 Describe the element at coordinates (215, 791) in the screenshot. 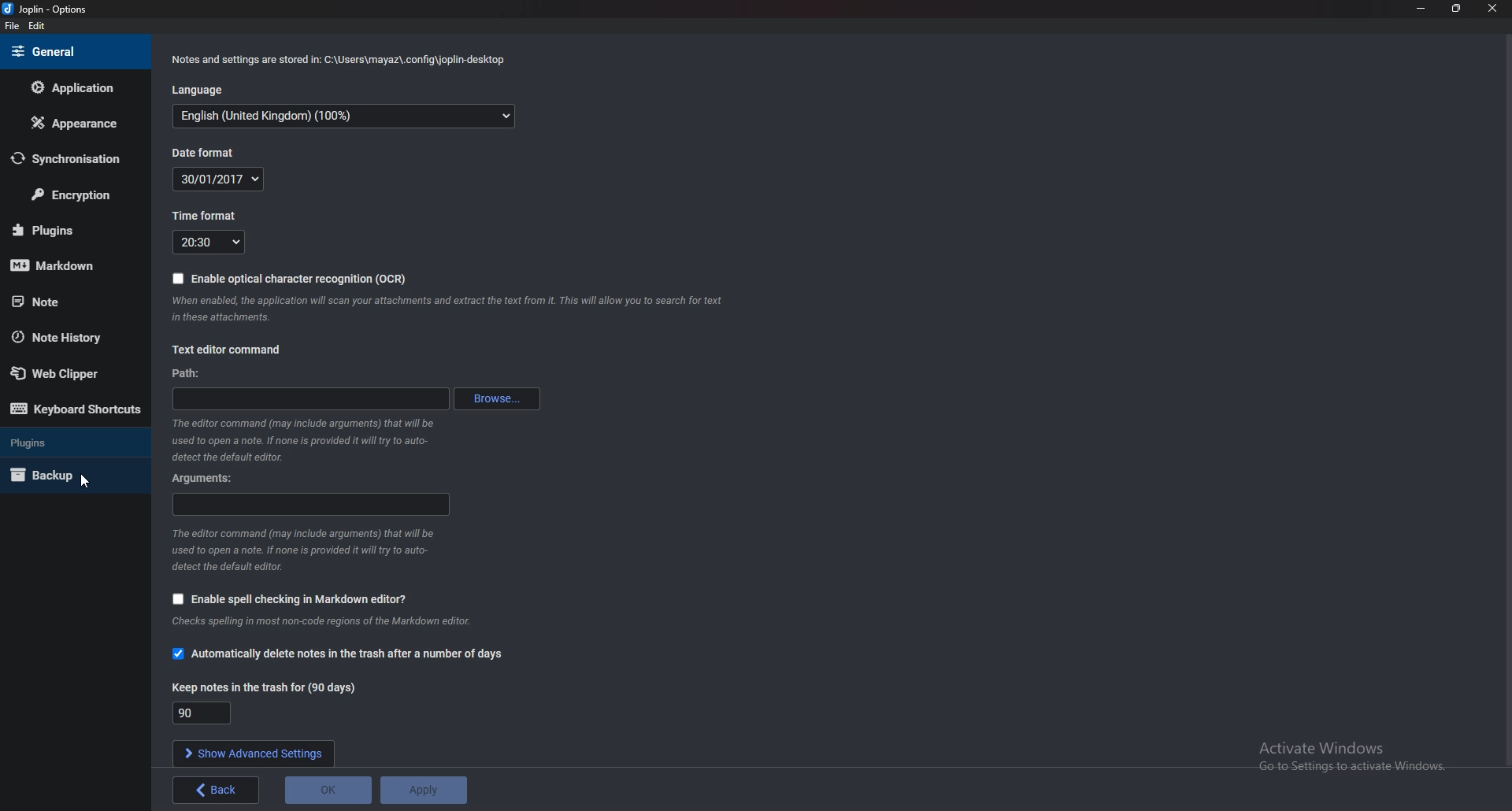

I see `back` at that location.